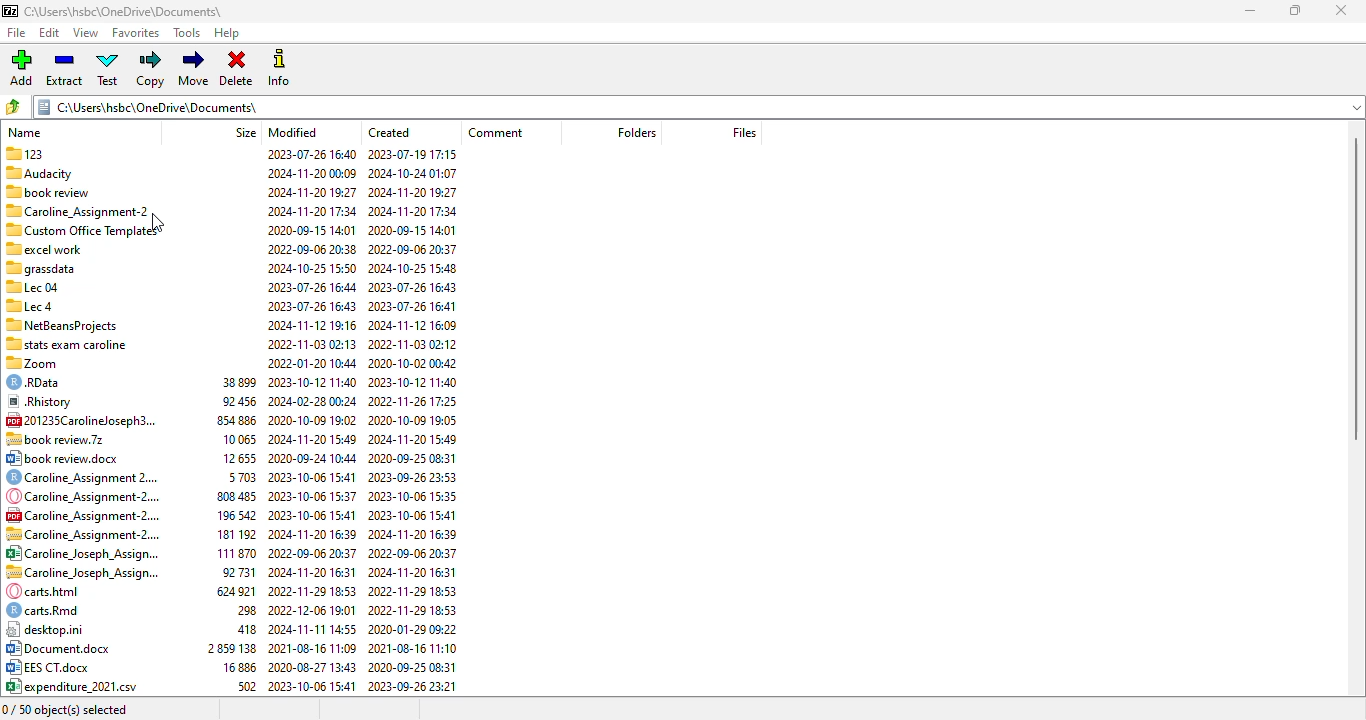 The image size is (1366, 720). I want to click on name, so click(24, 132).